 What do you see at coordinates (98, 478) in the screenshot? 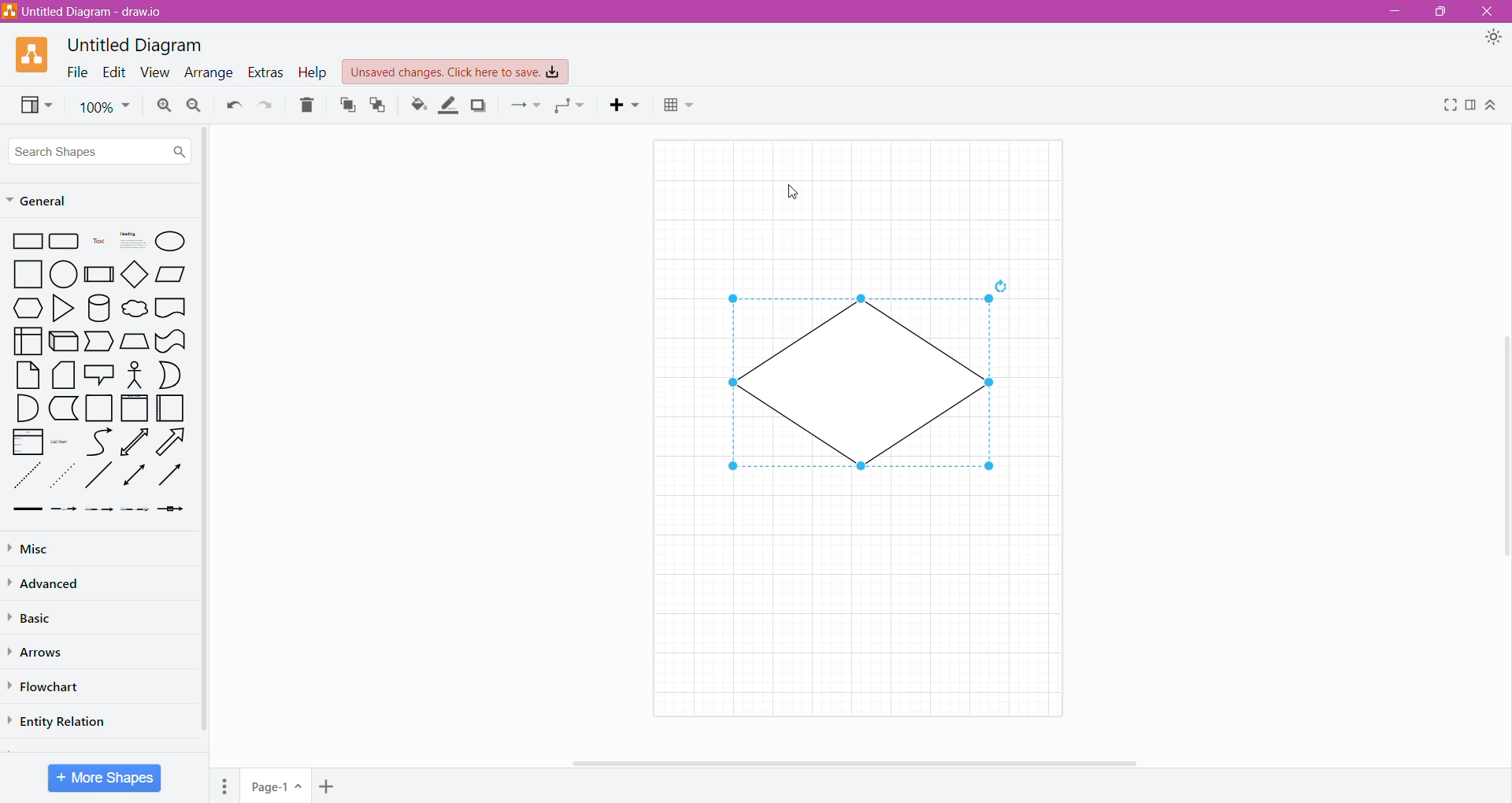
I see `Line` at bounding box center [98, 478].